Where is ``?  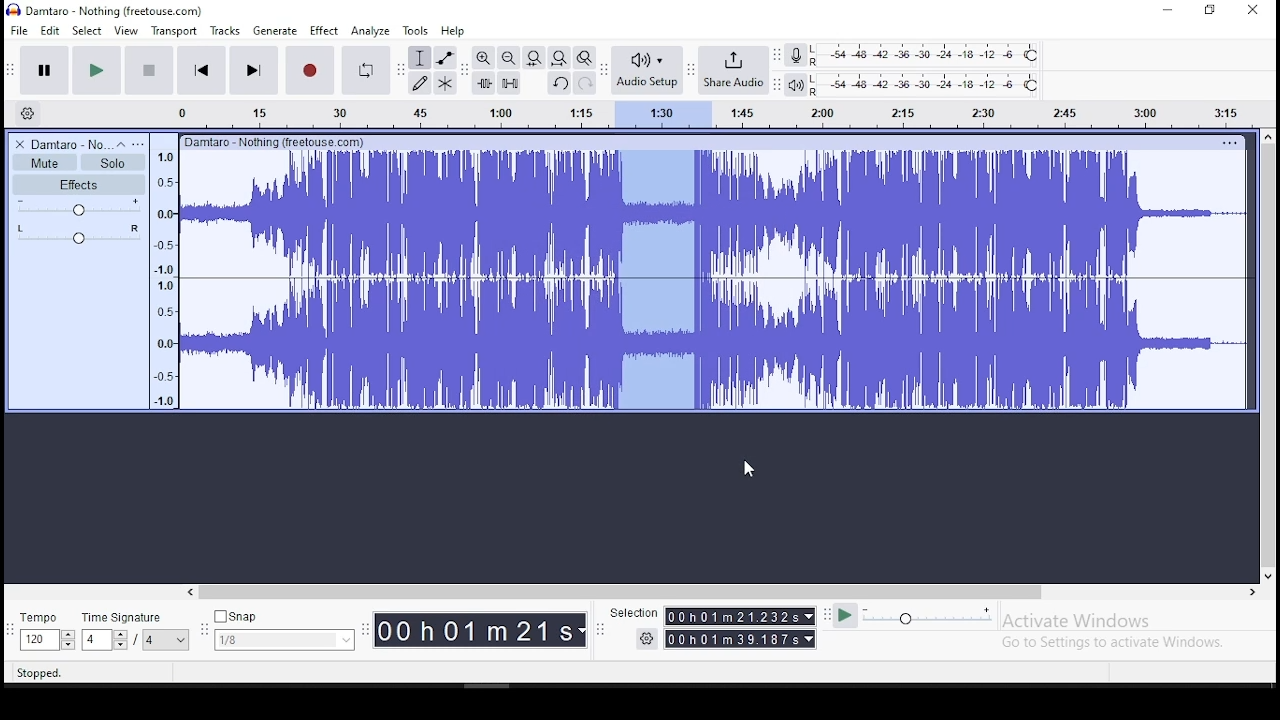  is located at coordinates (275, 141).